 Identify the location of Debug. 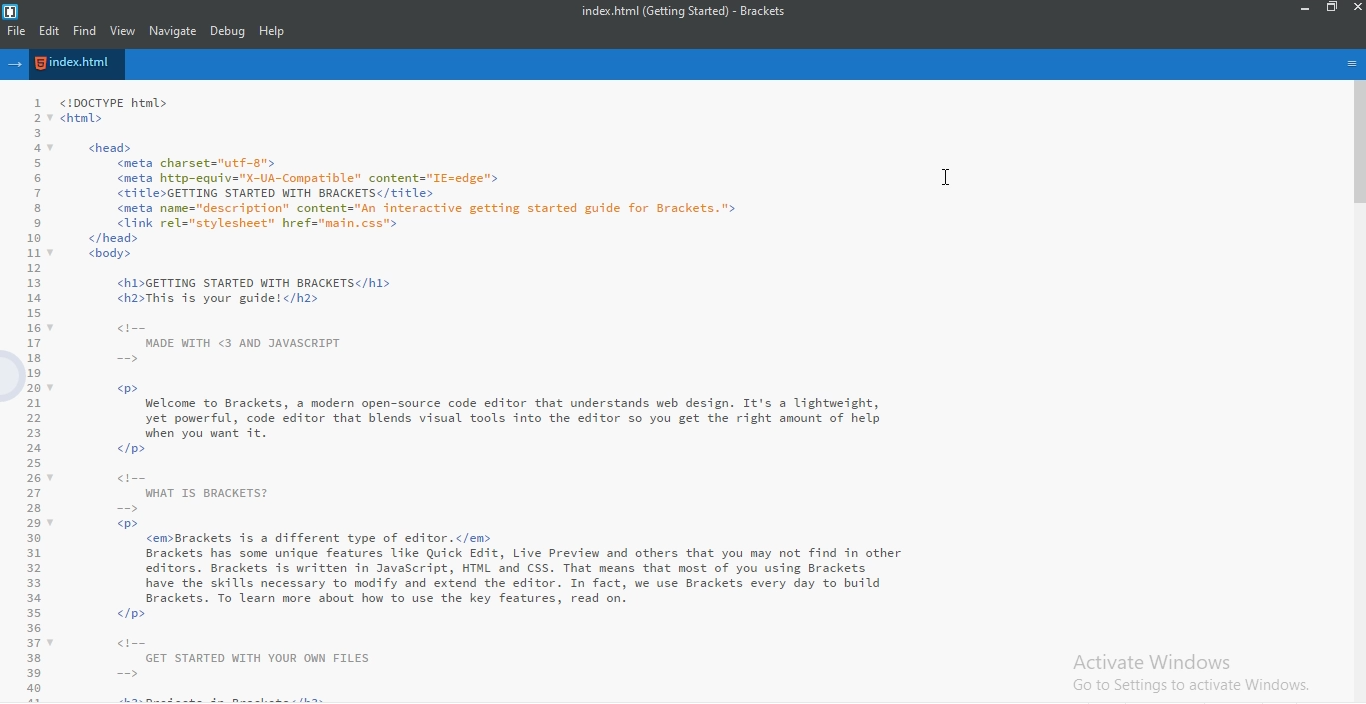
(229, 31).